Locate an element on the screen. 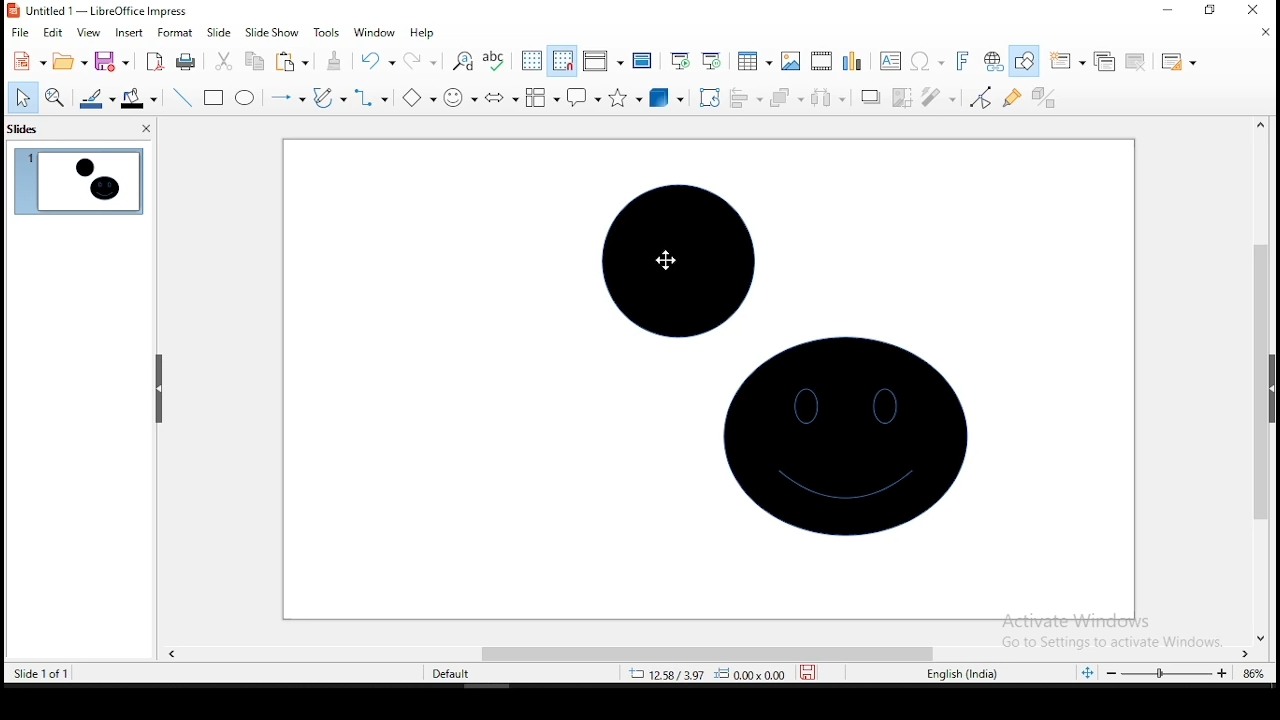 The height and width of the screenshot is (720, 1280). rectangle tool is located at coordinates (214, 98).